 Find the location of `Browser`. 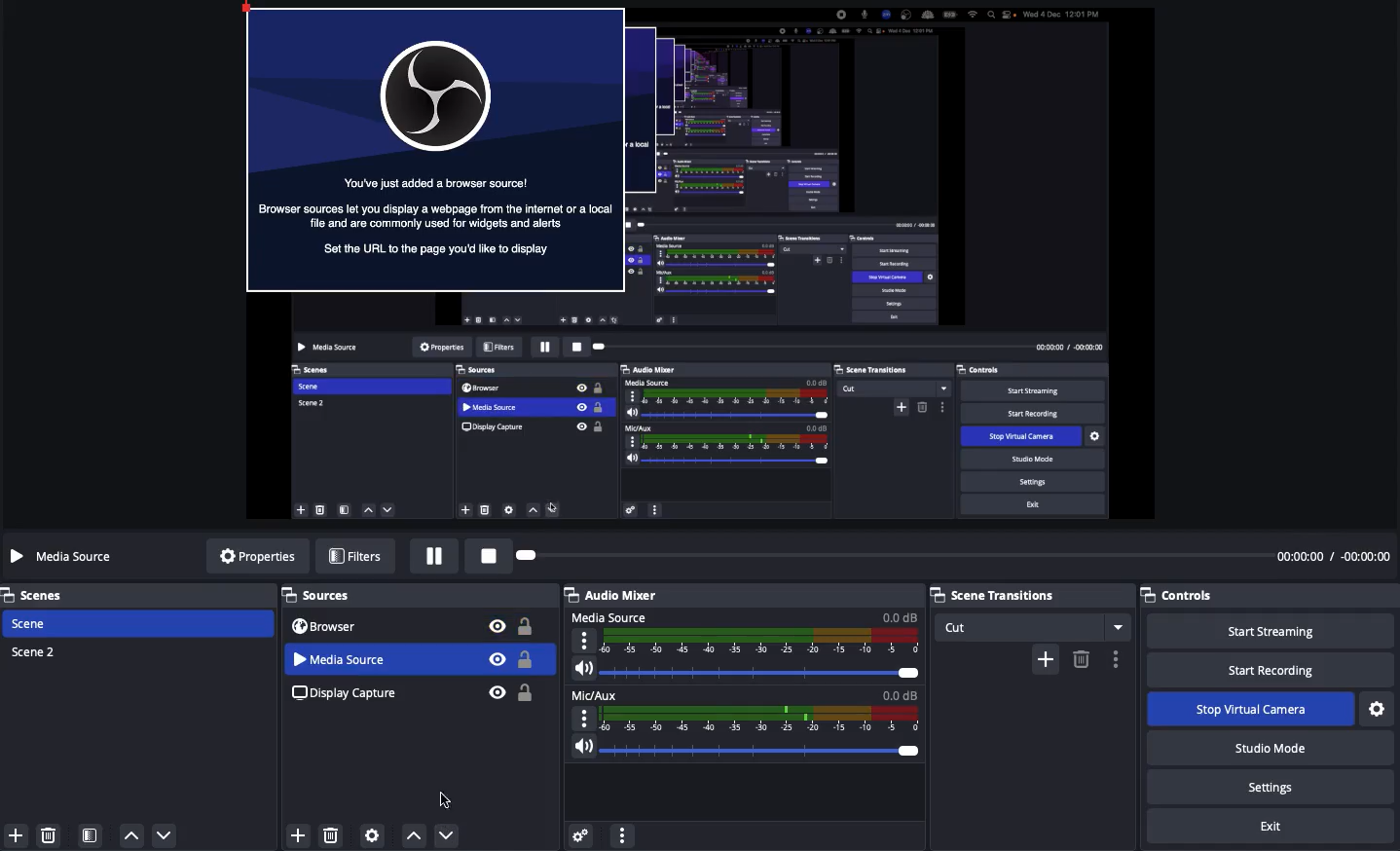

Browser is located at coordinates (331, 627).